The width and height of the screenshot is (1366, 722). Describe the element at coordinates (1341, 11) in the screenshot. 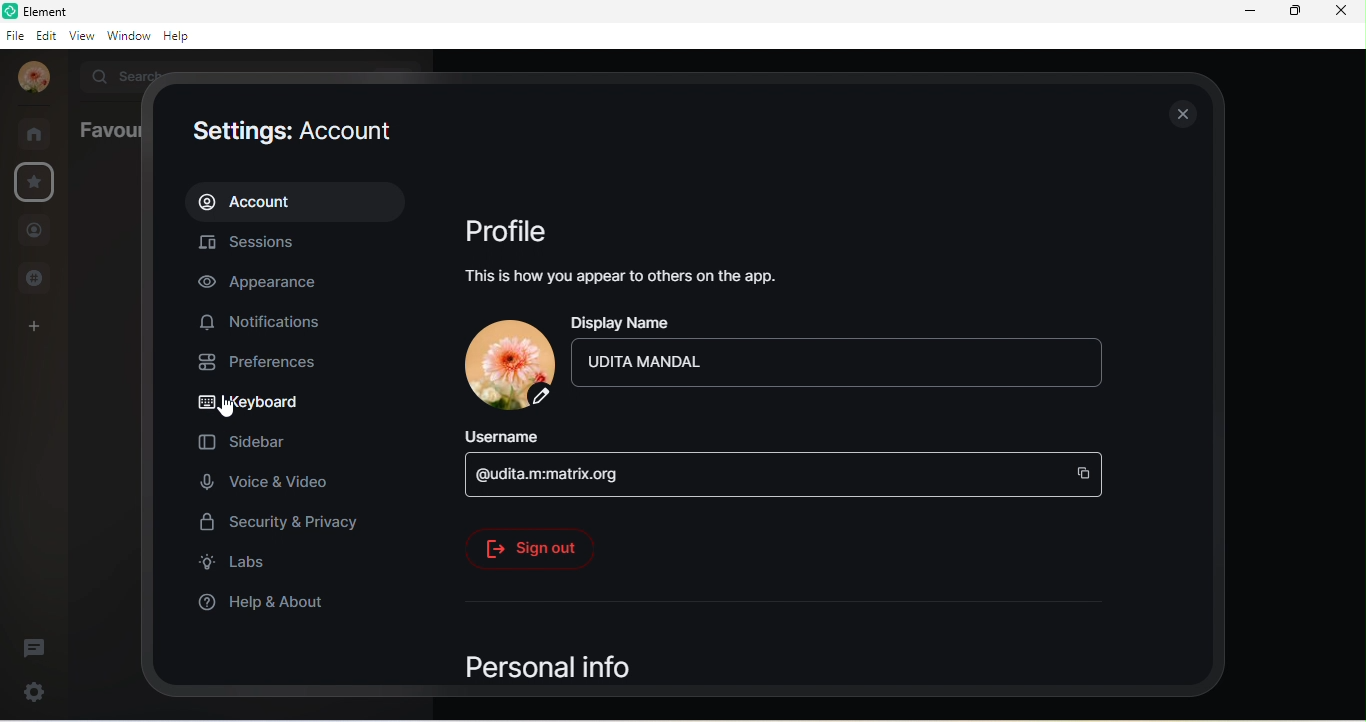

I see `close` at that location.